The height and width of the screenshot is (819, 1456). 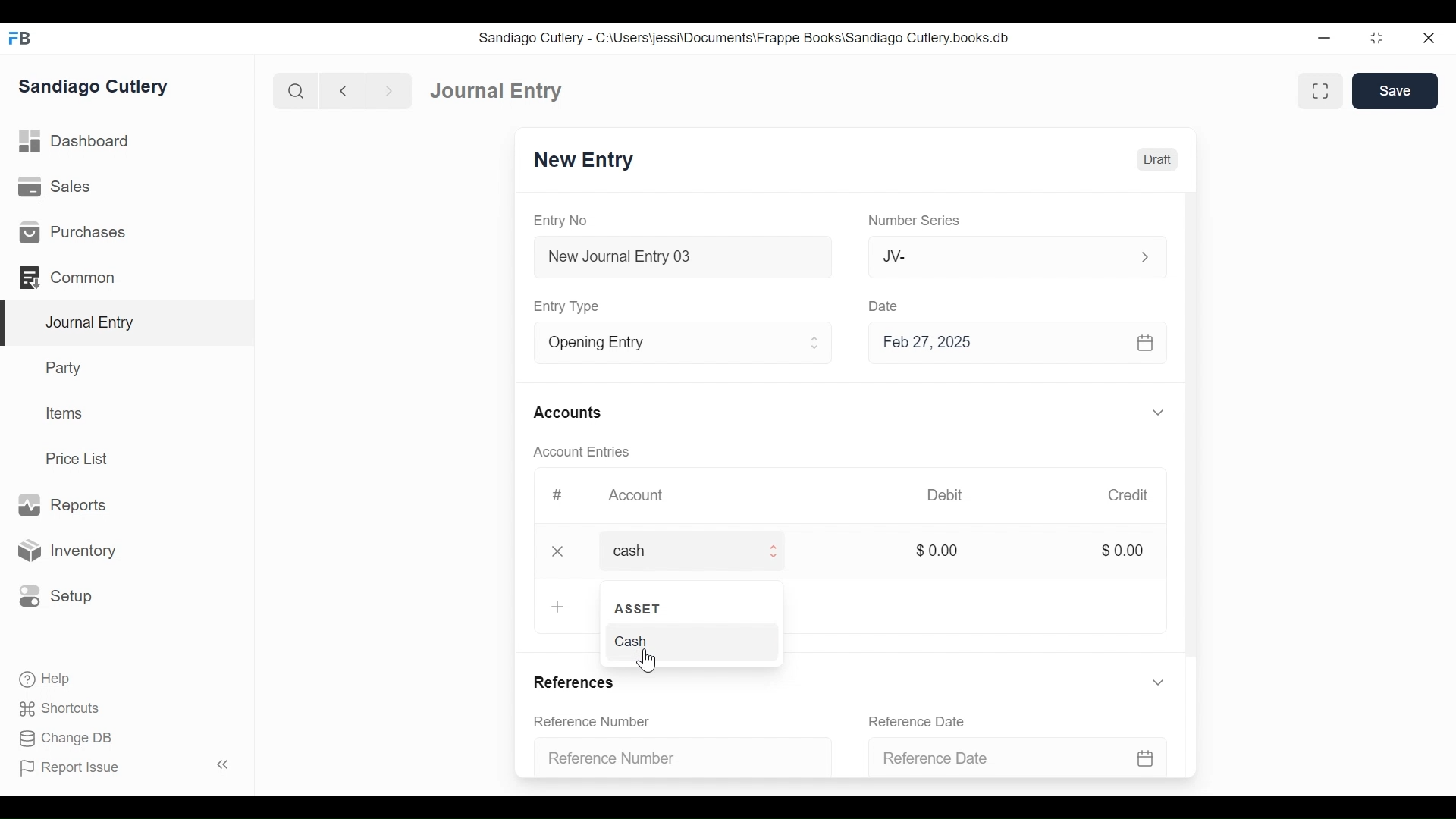 I want to click on Cursor, so click(x=649, y=661).